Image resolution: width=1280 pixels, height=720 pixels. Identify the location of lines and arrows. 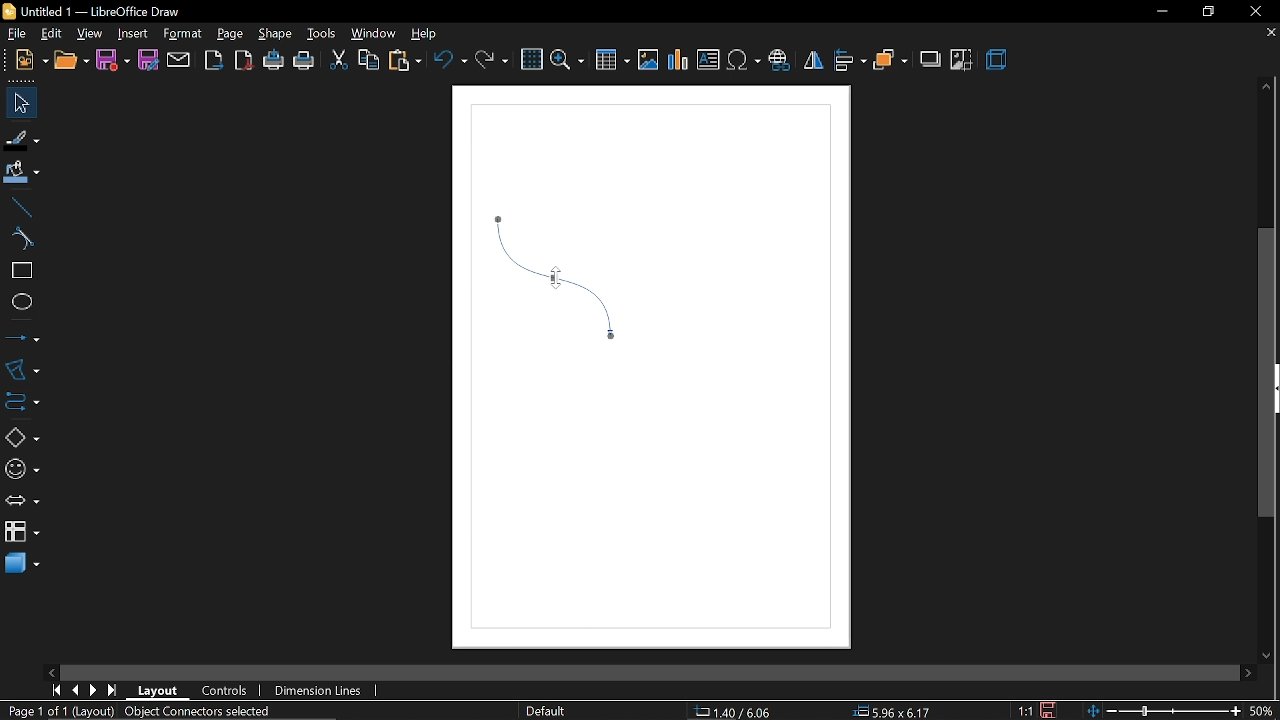
(22, 337).